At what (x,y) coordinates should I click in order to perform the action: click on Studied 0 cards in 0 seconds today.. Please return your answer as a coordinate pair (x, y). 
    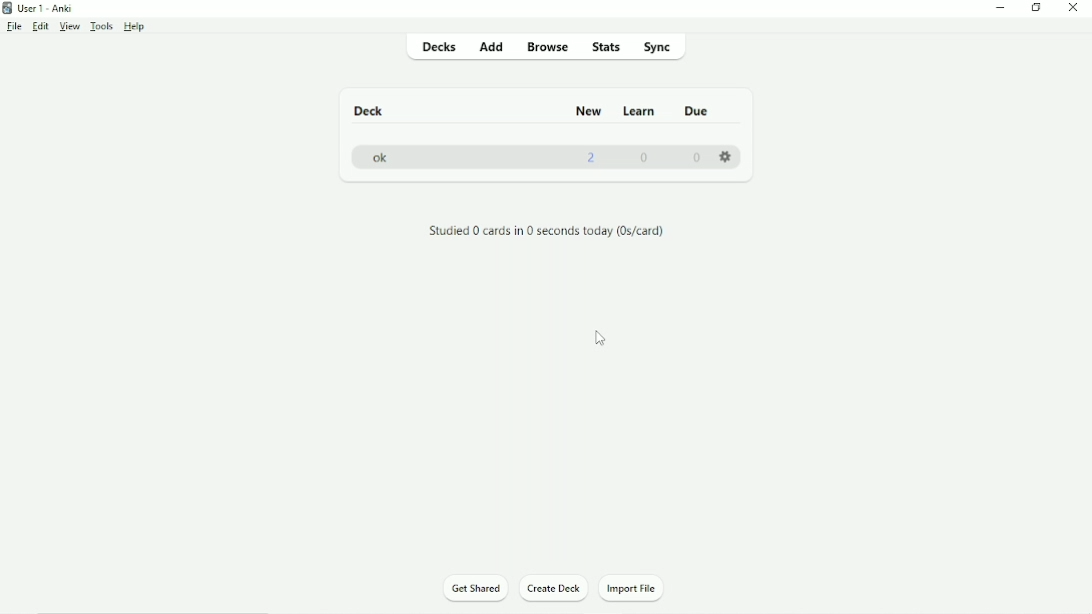
    Looking at the image, I should click on (545, 232).